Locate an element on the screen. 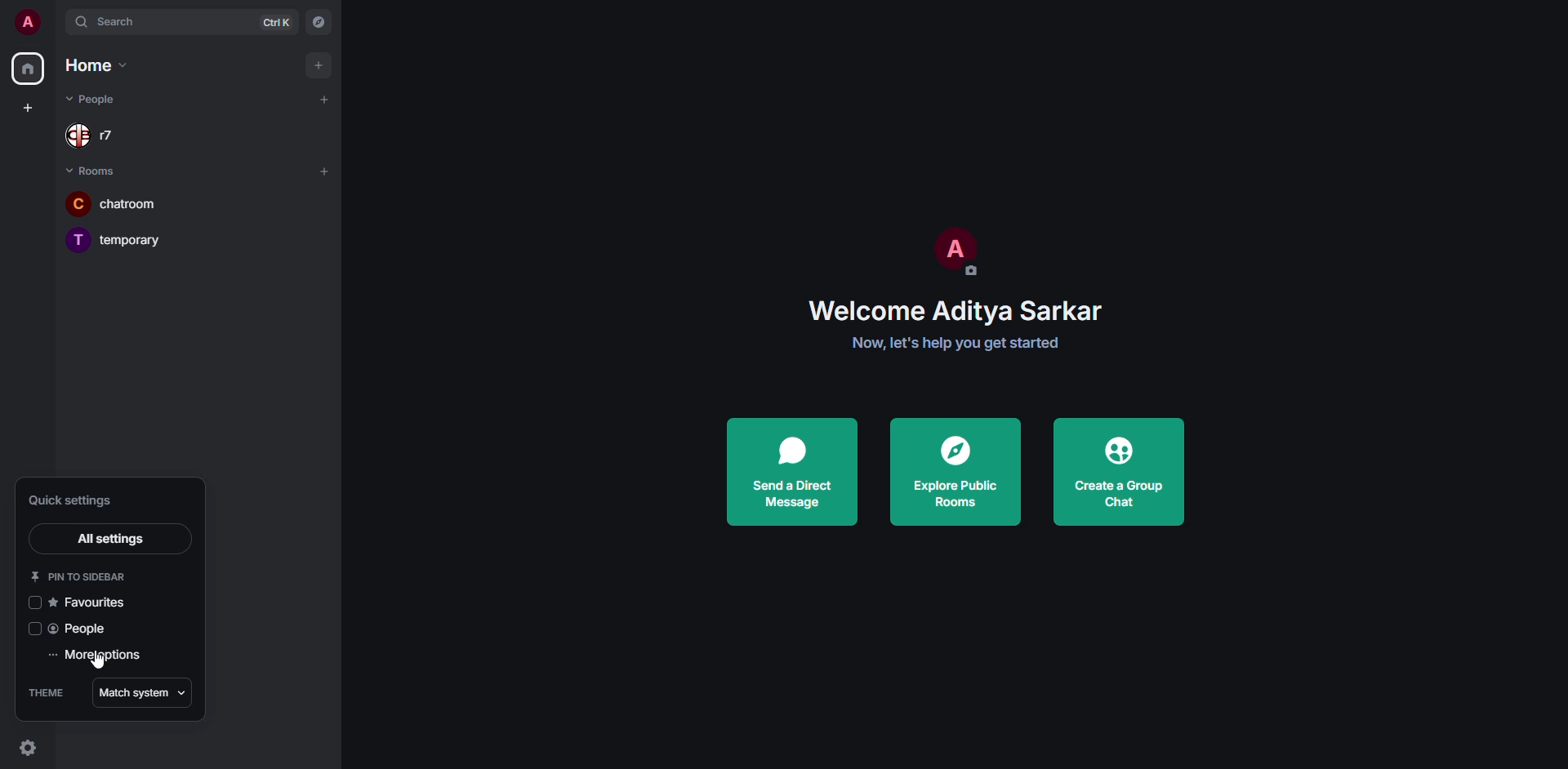  temporary is located at coordinates (116, 238).